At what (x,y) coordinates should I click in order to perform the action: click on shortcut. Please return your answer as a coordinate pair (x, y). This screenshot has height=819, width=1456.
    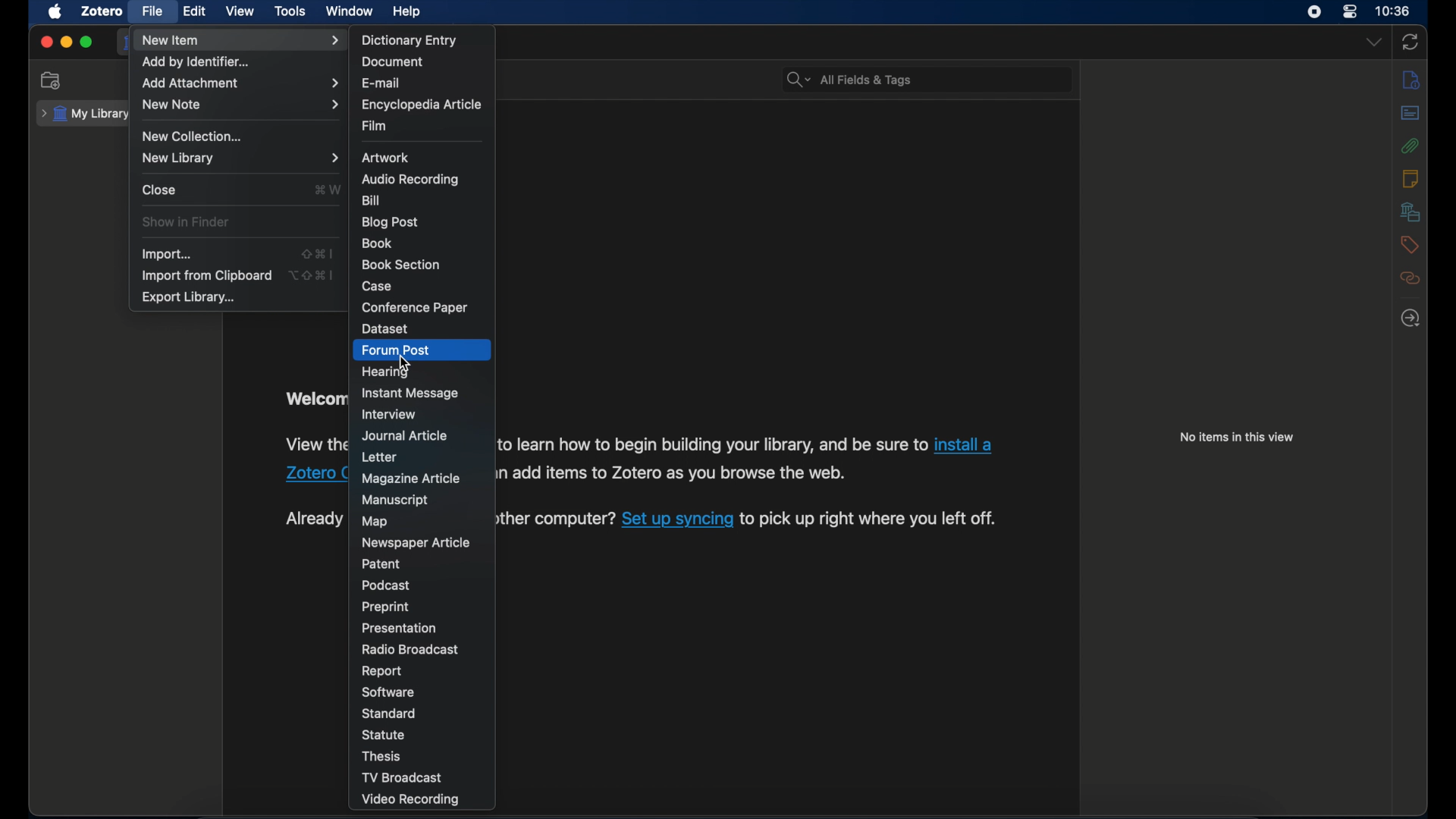
    Looking at the image, I should click on (318, 254).